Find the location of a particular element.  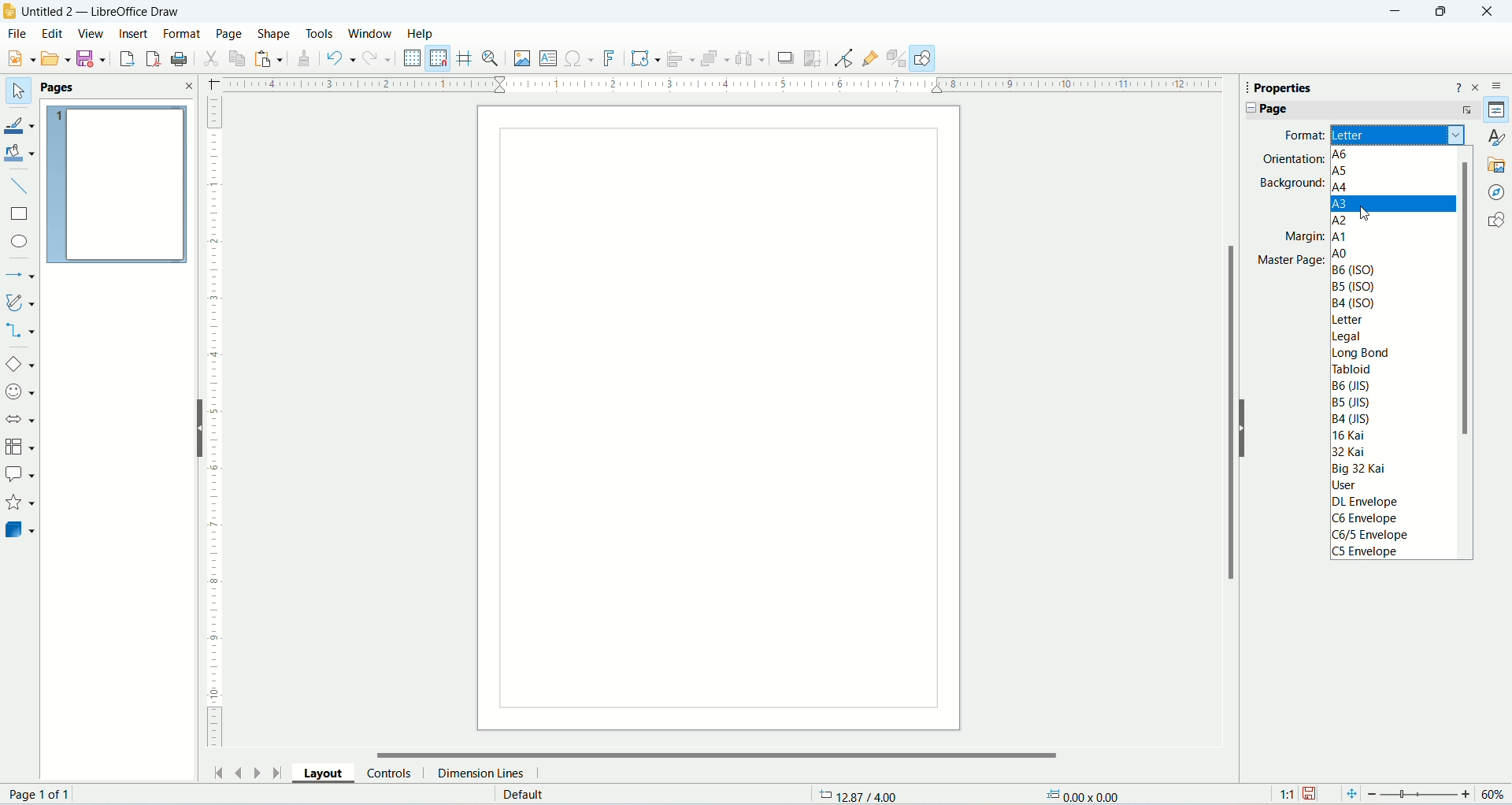

16 kai is located at coordinates (1354, 436).